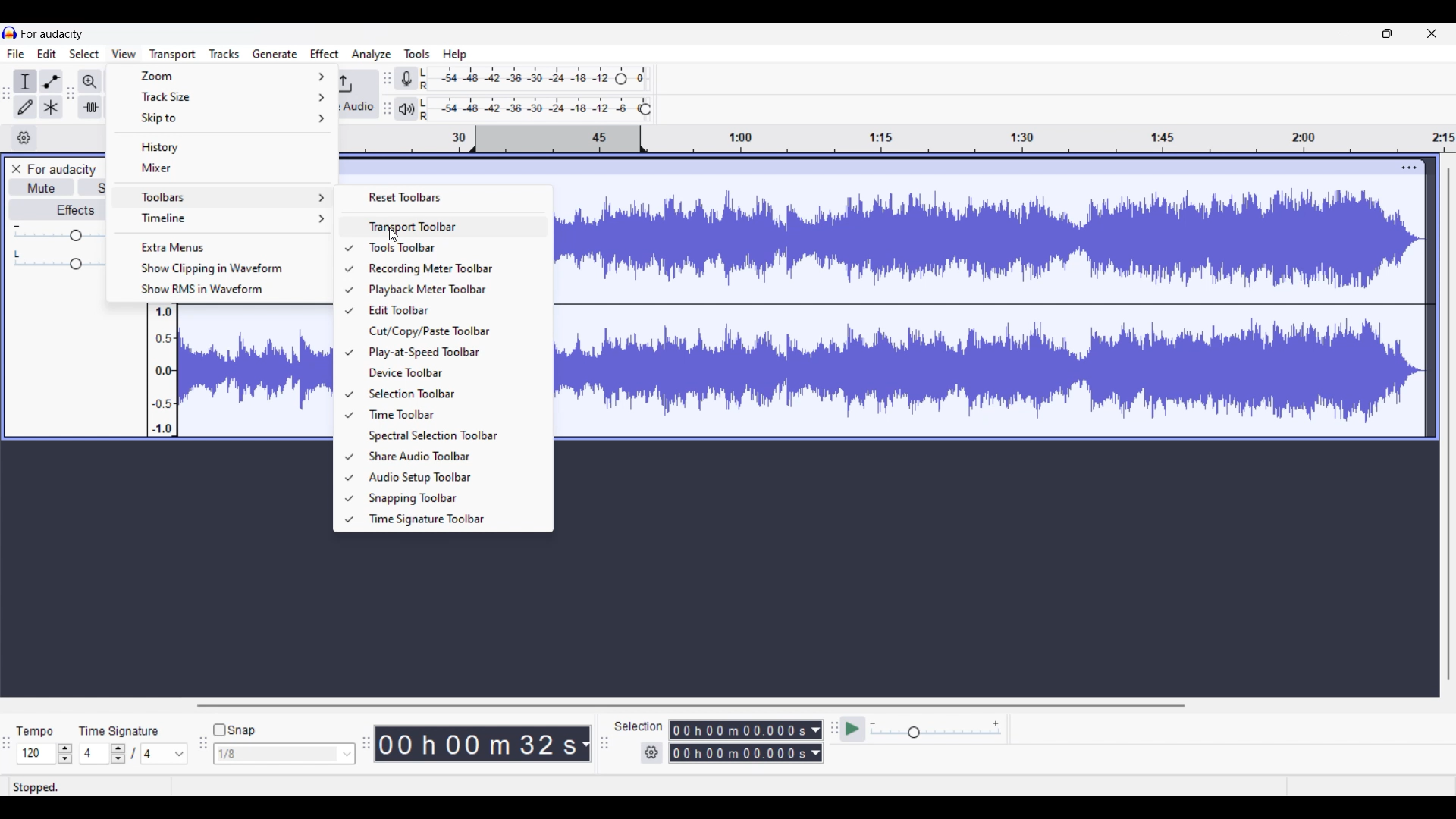 This screenshot has height=819, width=1456. I want to click on Time signature toolbar, so click(450, 520).